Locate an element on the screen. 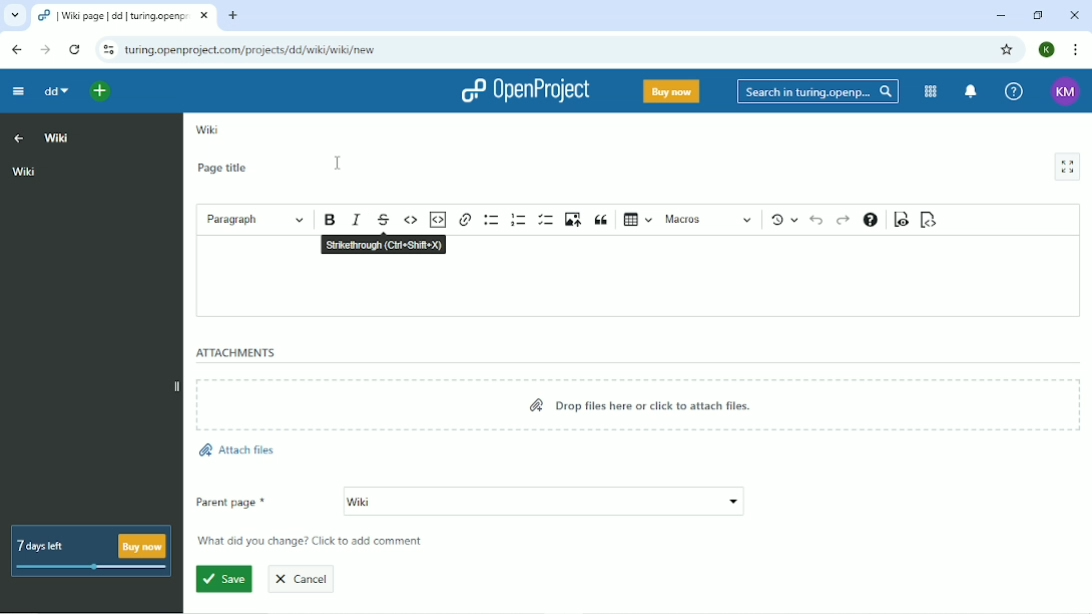 Image resolution: width=1092 pixels, height=614 pixels. Attachments is located at coordinates (235, 351).